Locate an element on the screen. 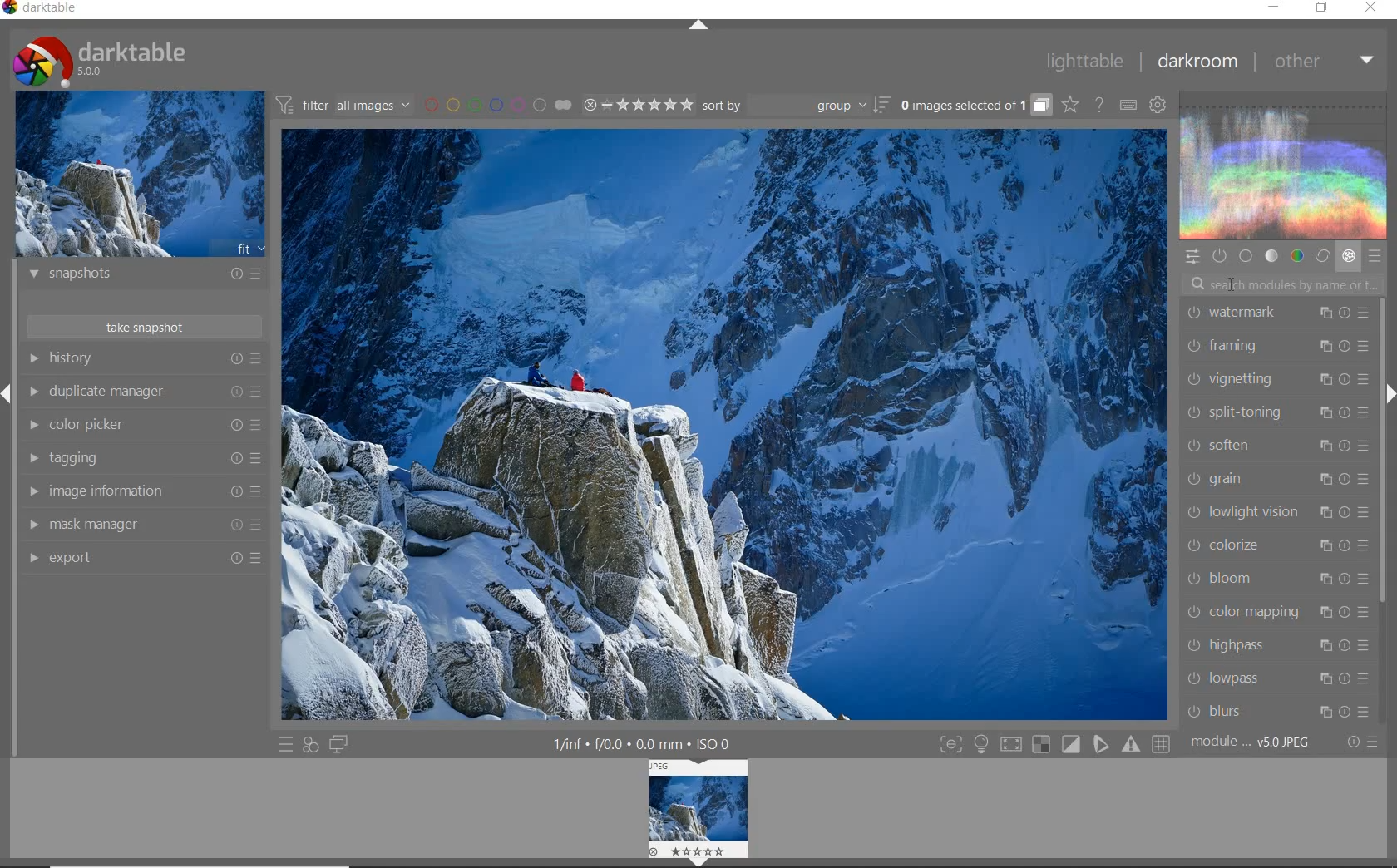 The height and width of the screenshot is (868, 1397). Darktable is located at coordinates (42, 11).